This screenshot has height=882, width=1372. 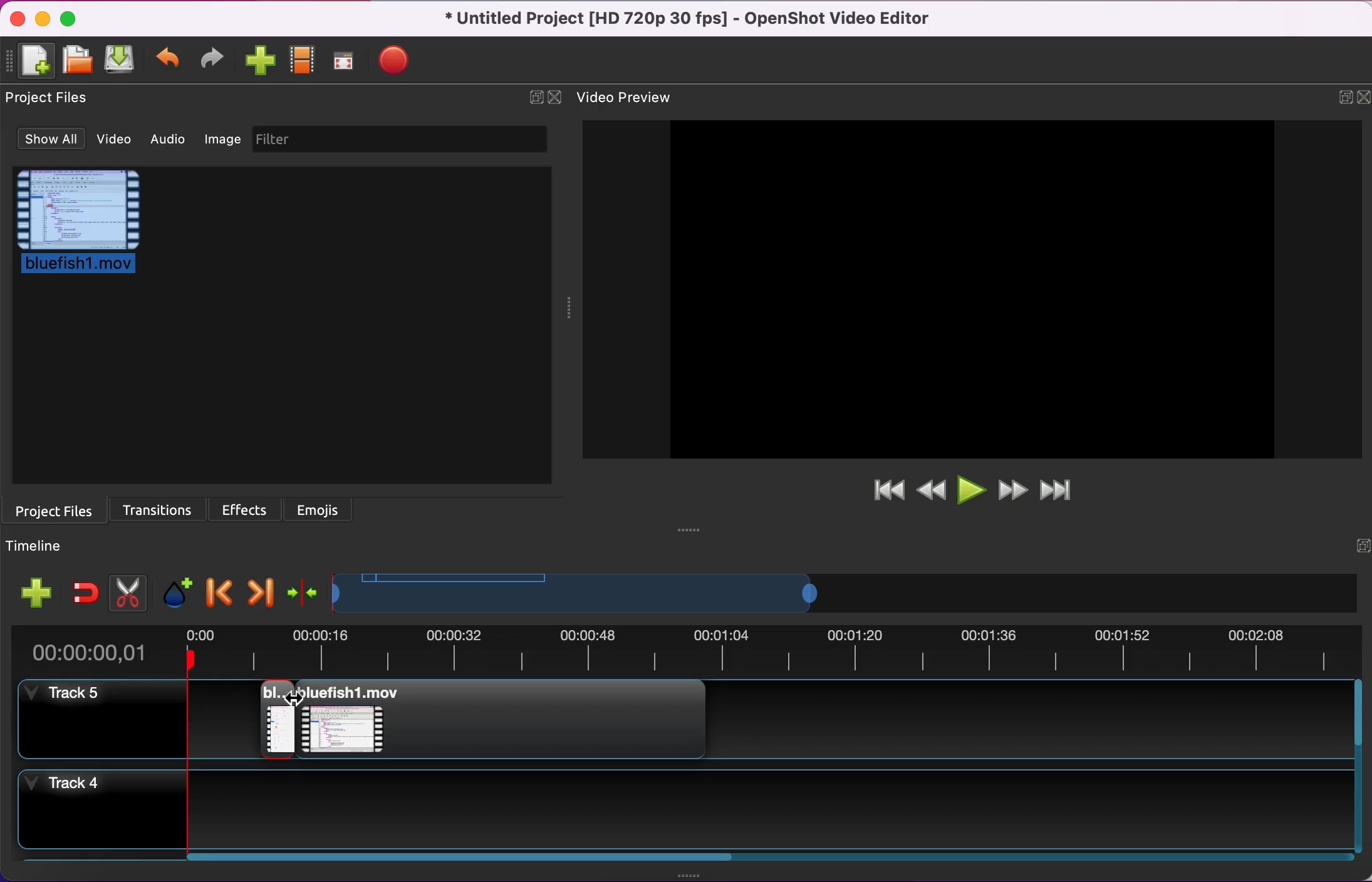 What do you see at coordinates (300, 593) in the screenshot?
I see `center the timeline` at bounding box center [300, 593].